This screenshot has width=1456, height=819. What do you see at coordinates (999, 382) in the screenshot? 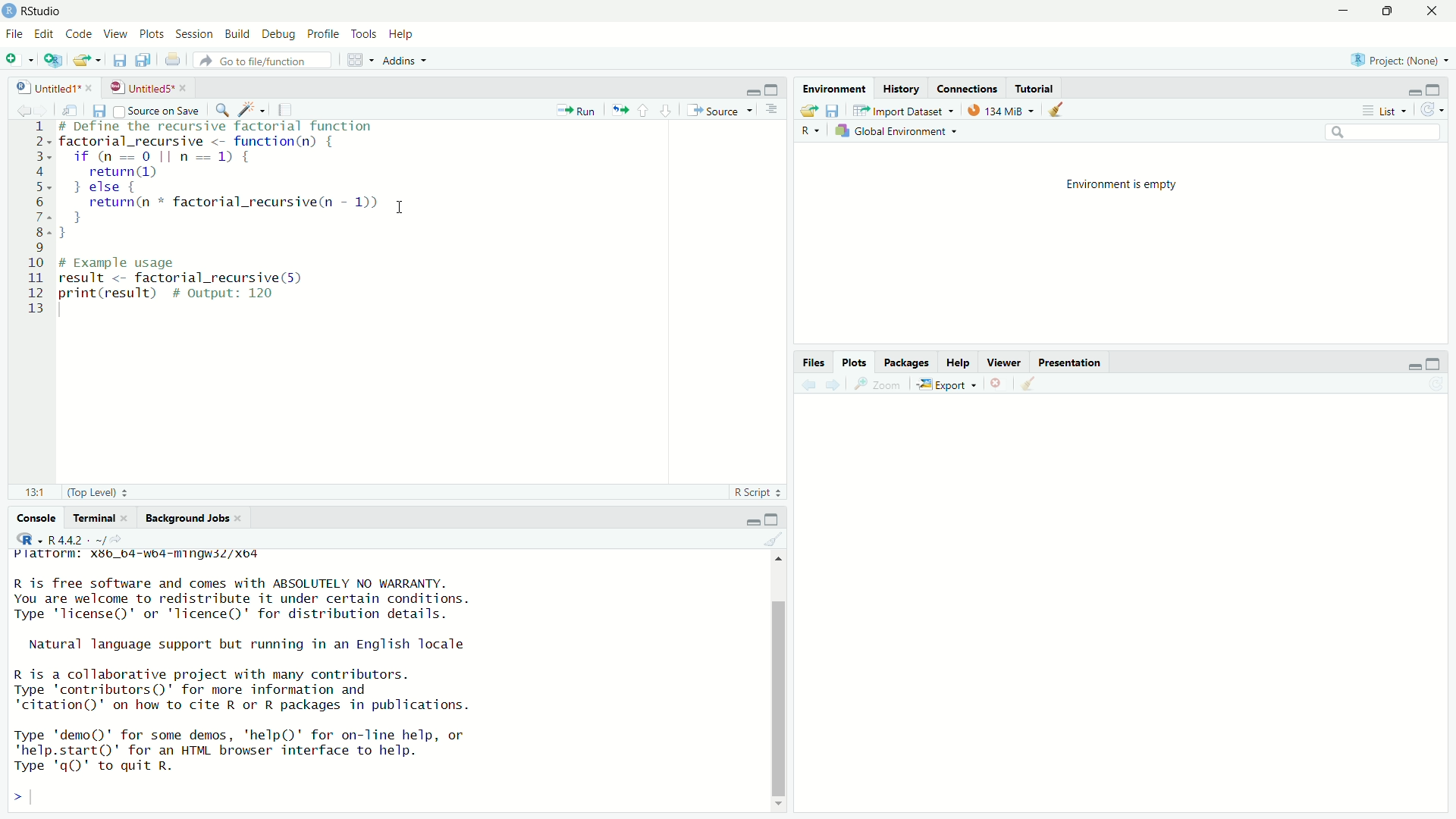
I see `Button` at bounding box center [999, 382].